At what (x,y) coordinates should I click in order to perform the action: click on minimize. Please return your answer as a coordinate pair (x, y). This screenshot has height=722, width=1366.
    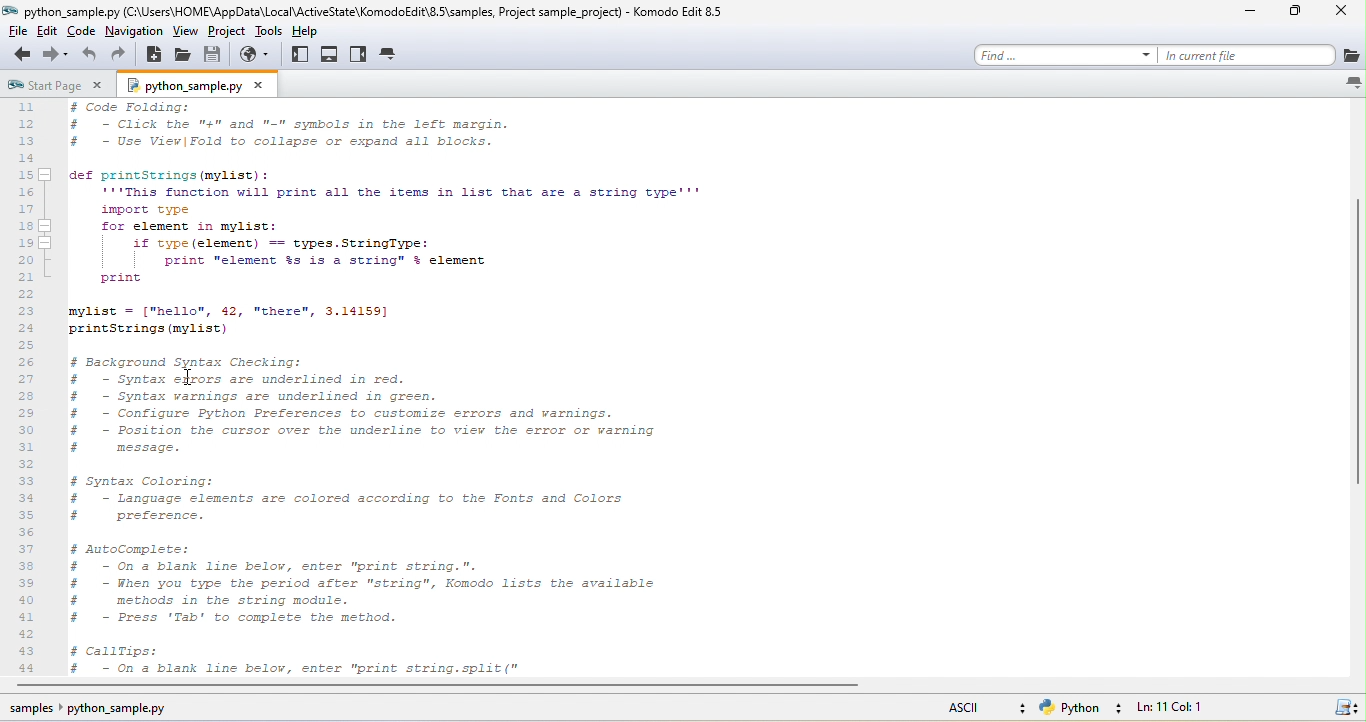
    Looking at the image, I should click on (1235, 16).